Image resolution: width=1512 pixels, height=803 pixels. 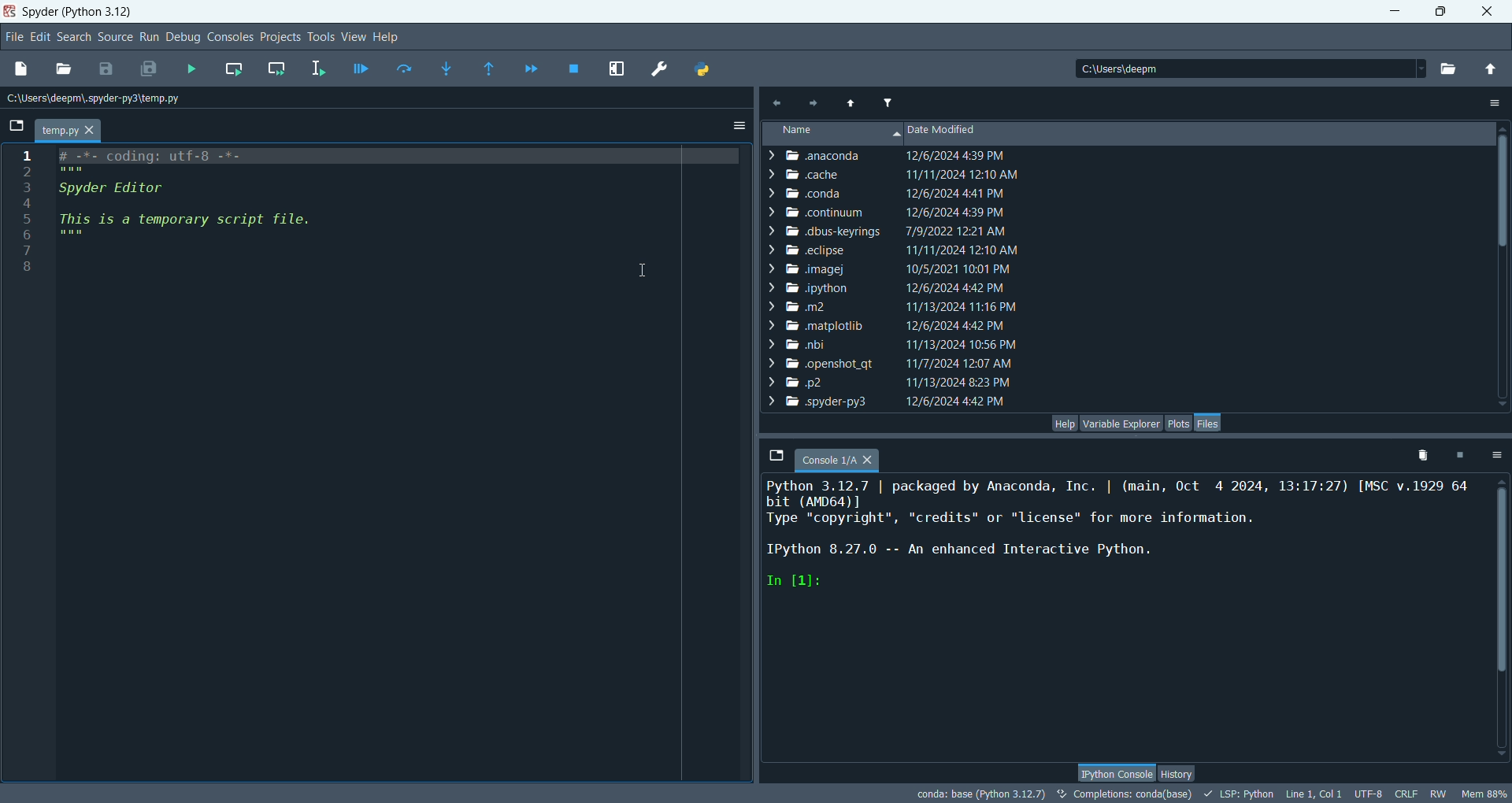 I want to click on save, so click(x=106, y=70).